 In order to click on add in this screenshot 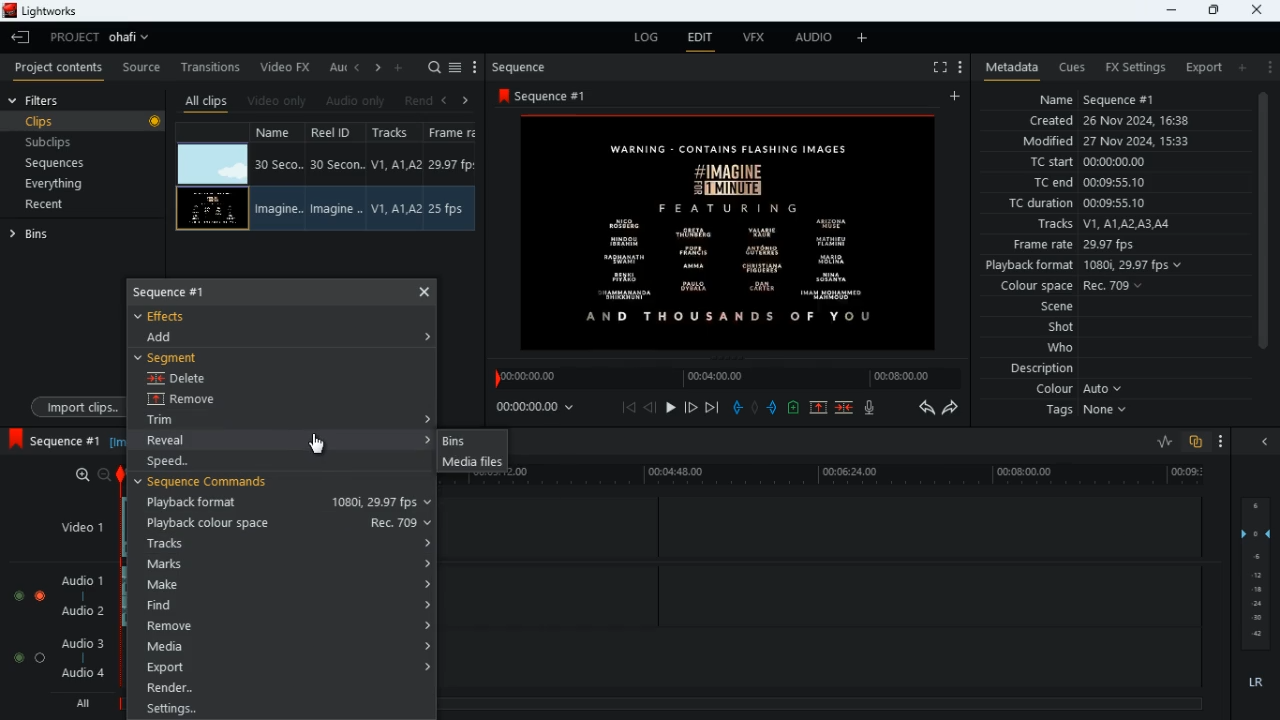, I will do `click(402, 67)`.